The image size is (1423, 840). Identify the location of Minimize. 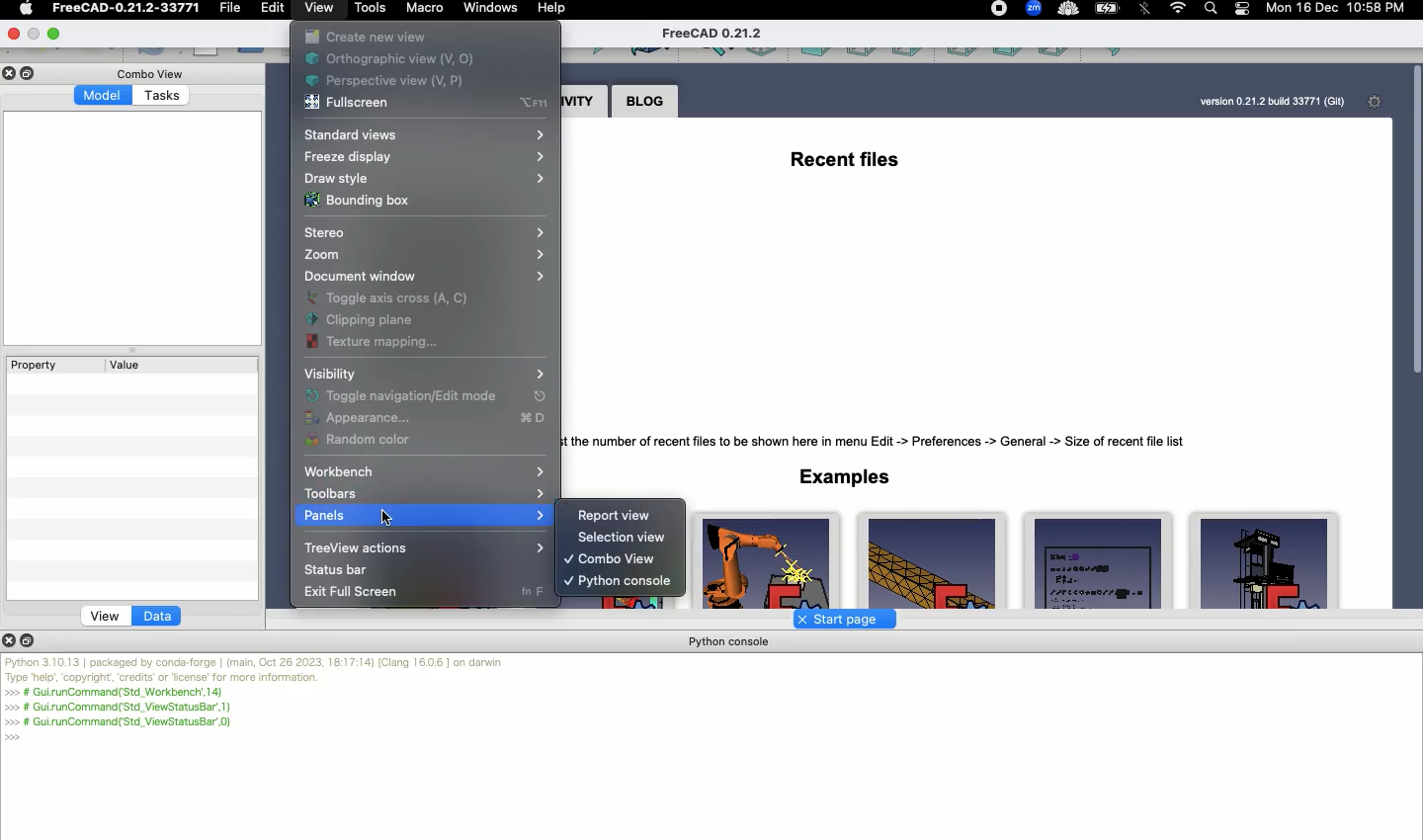
(55, 32).